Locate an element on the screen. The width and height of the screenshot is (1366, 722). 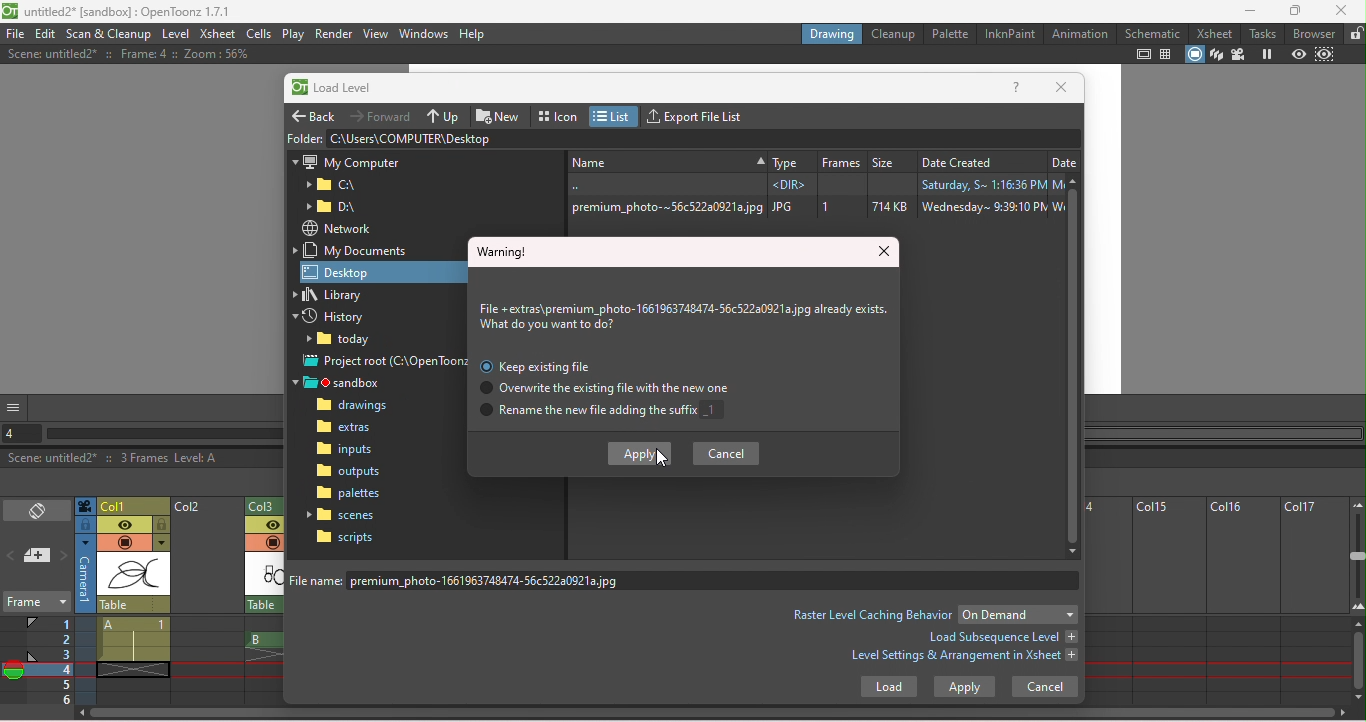
Up is located at coordinates (445, 115).